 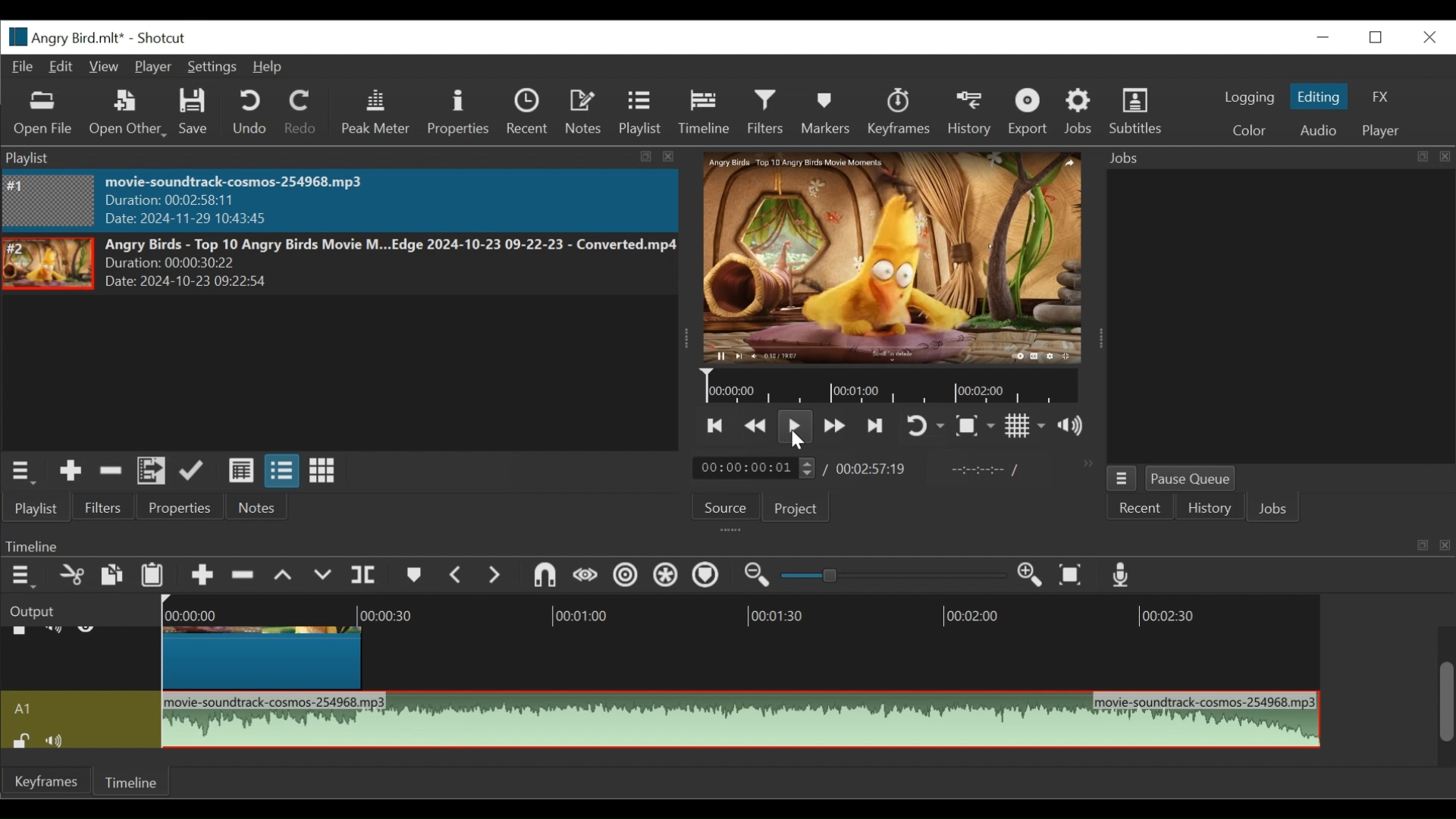 What do you see at coordinates (183, 508) in the screenshot?
I see `Properties` at bounding box center [183, 508].